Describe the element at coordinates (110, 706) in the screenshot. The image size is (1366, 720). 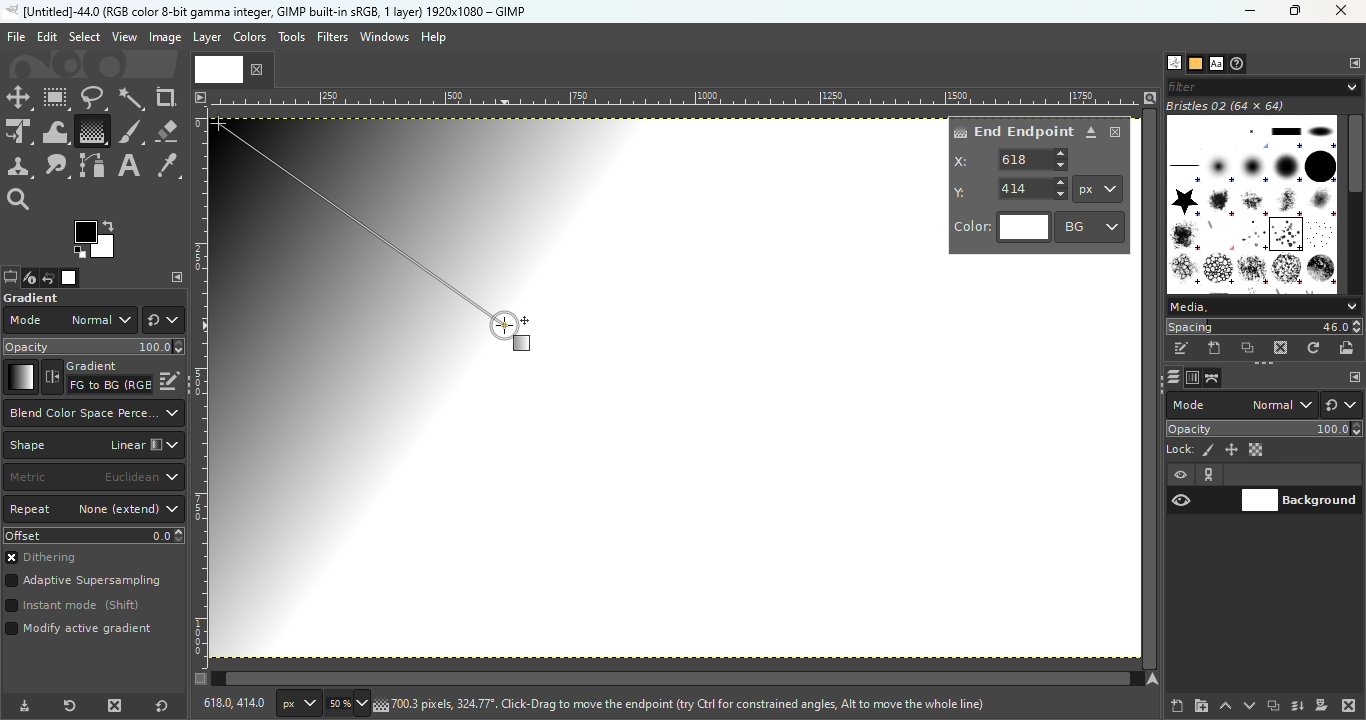
I see `Delete tool preset` at that location.